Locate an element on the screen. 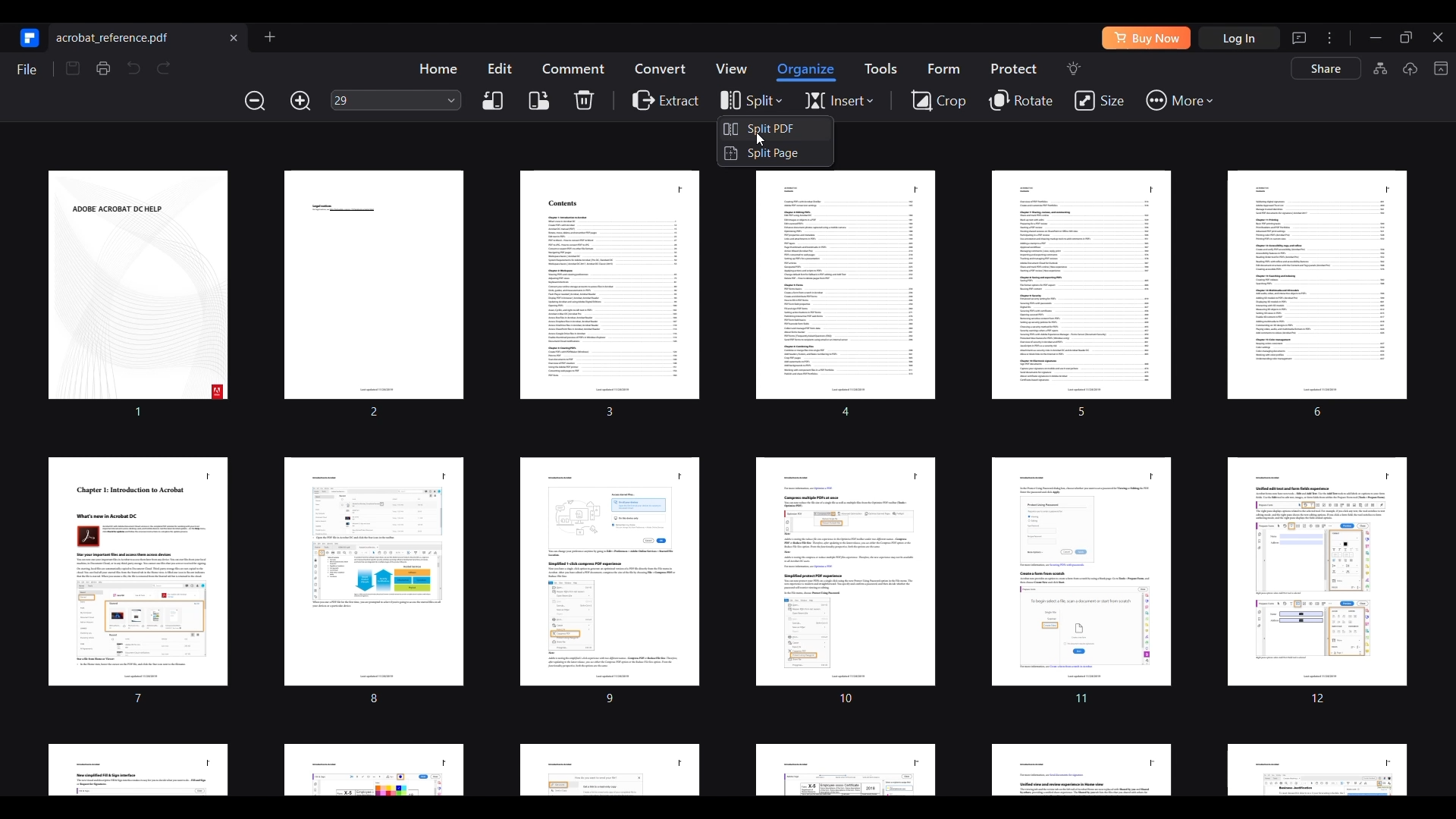 This screenshot has width=1456, height=819. Save is located at coordinates (73, 68).